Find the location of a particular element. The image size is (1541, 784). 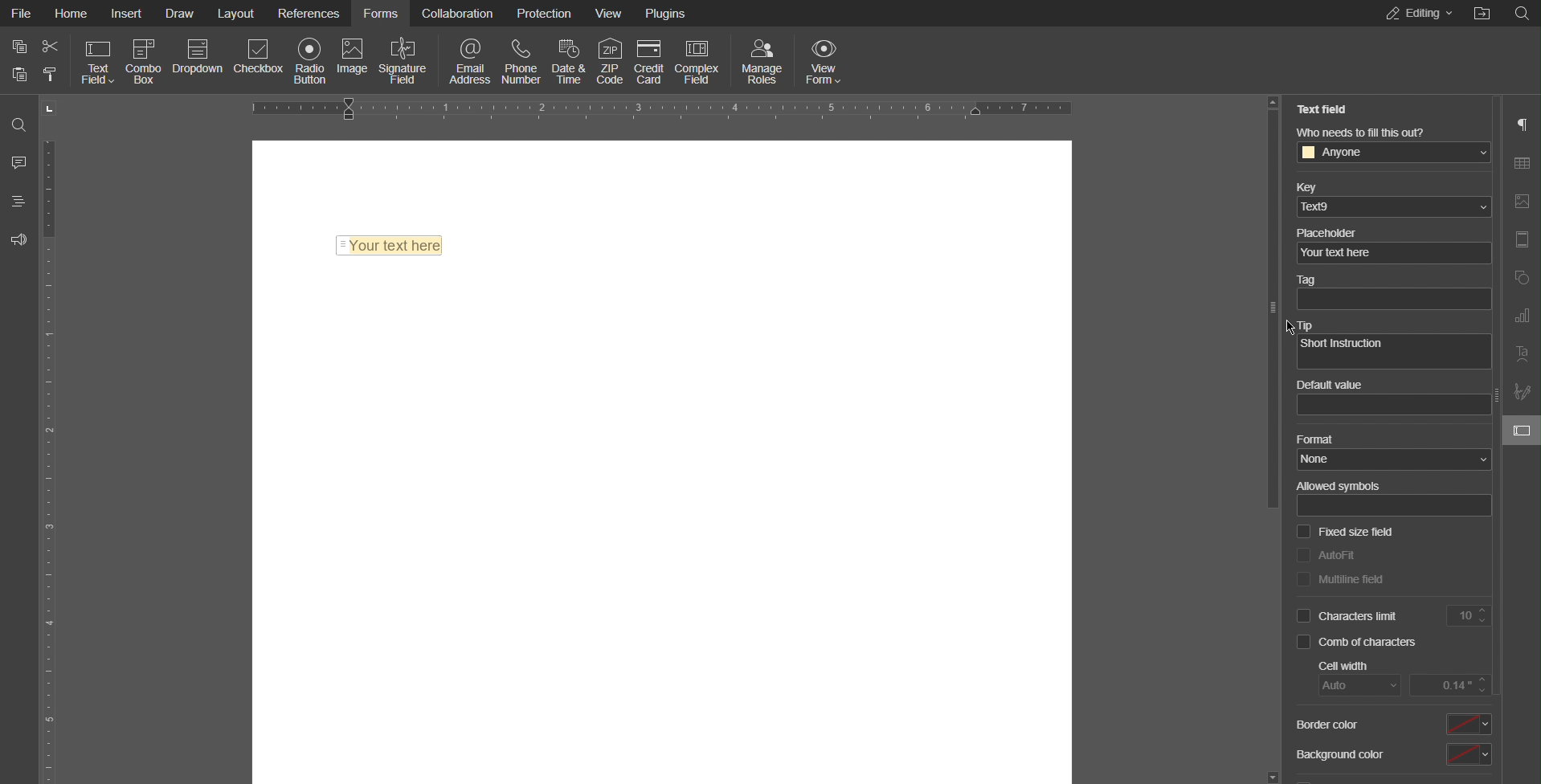

none is located at coordinates (1396, 458).